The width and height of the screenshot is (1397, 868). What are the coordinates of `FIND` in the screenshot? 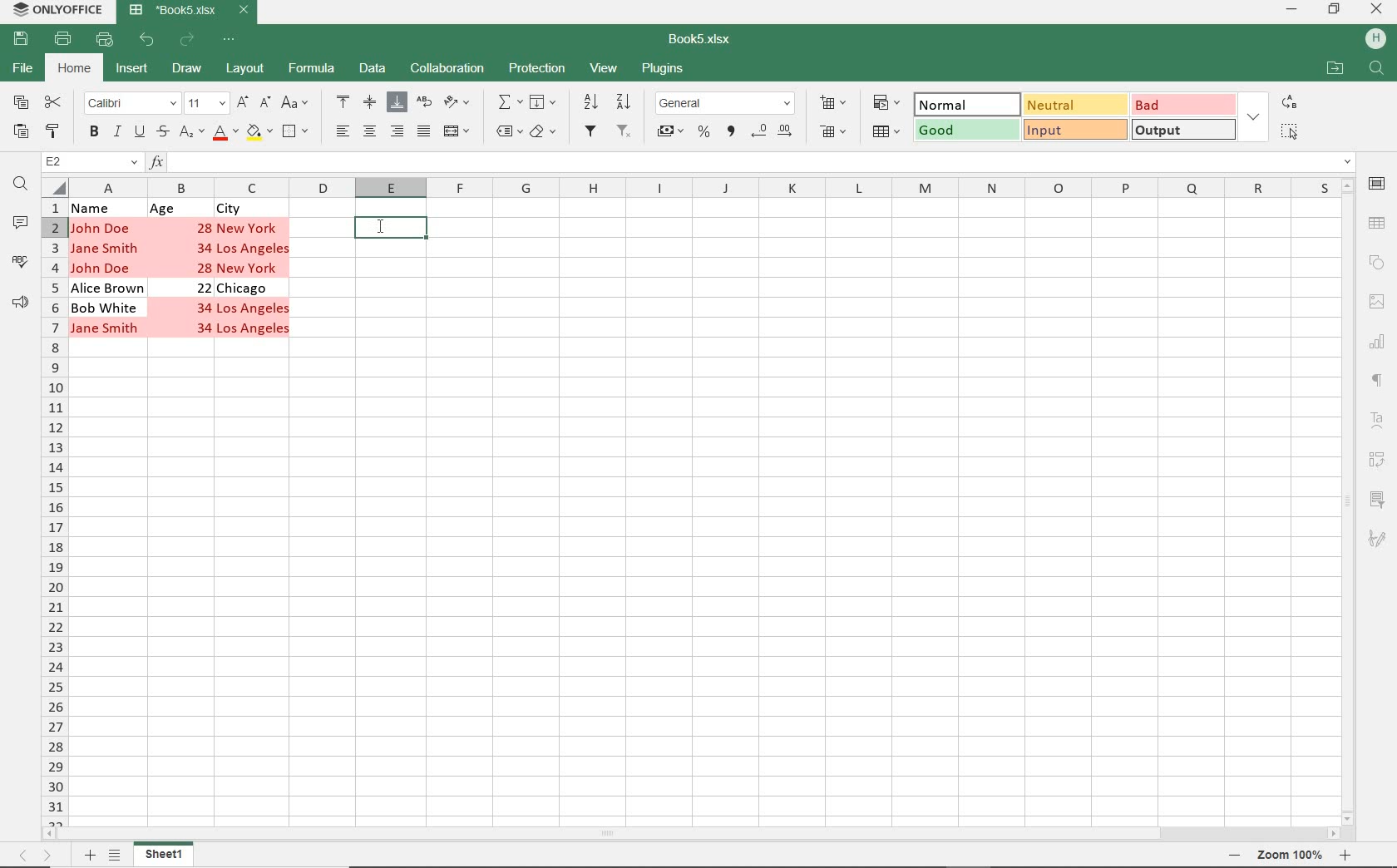 It's located at (24, 185).